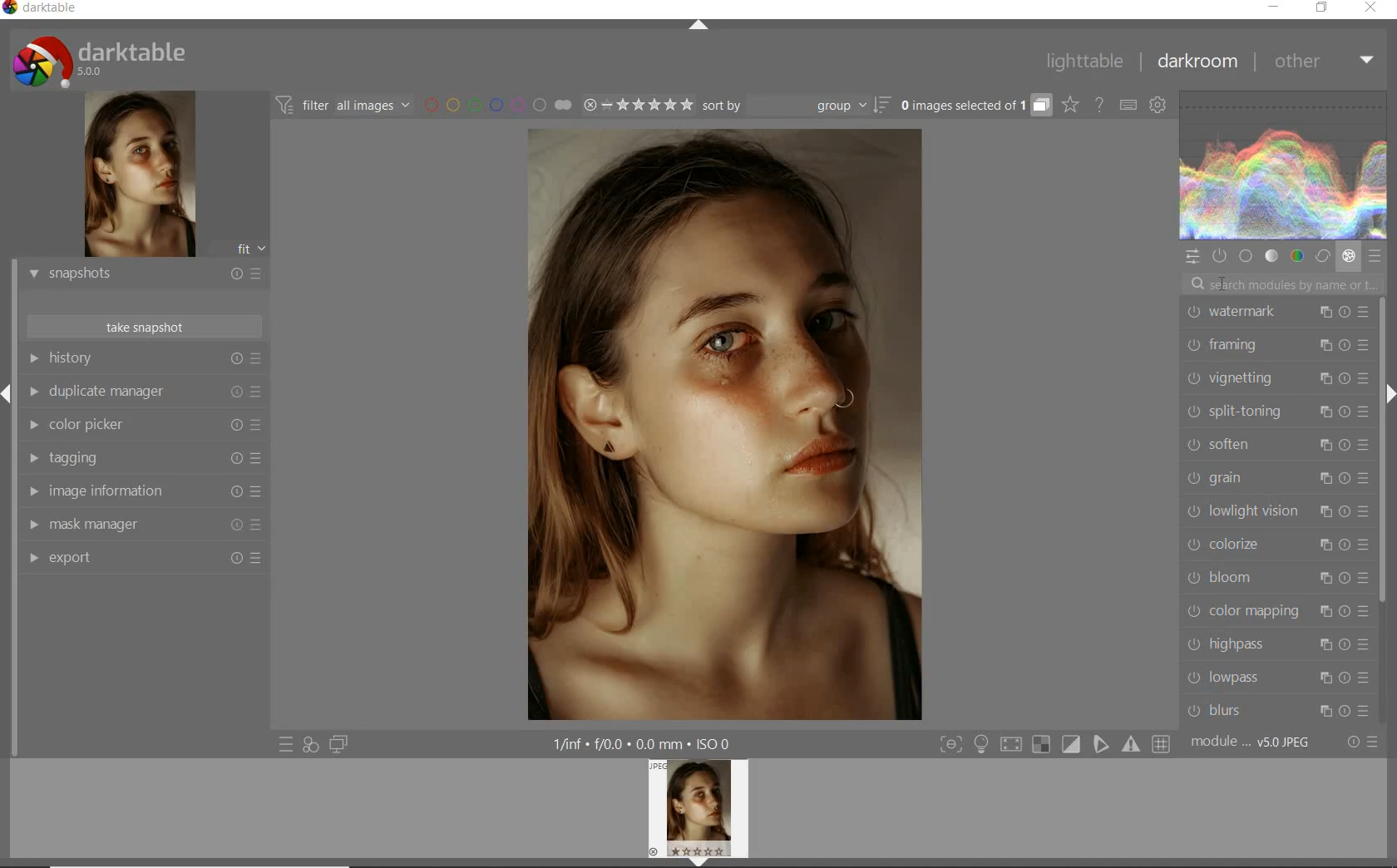 Image resolution: width=1397 pixels, height=868 pixels. I want to click on take snapshots, so click(146, 327).